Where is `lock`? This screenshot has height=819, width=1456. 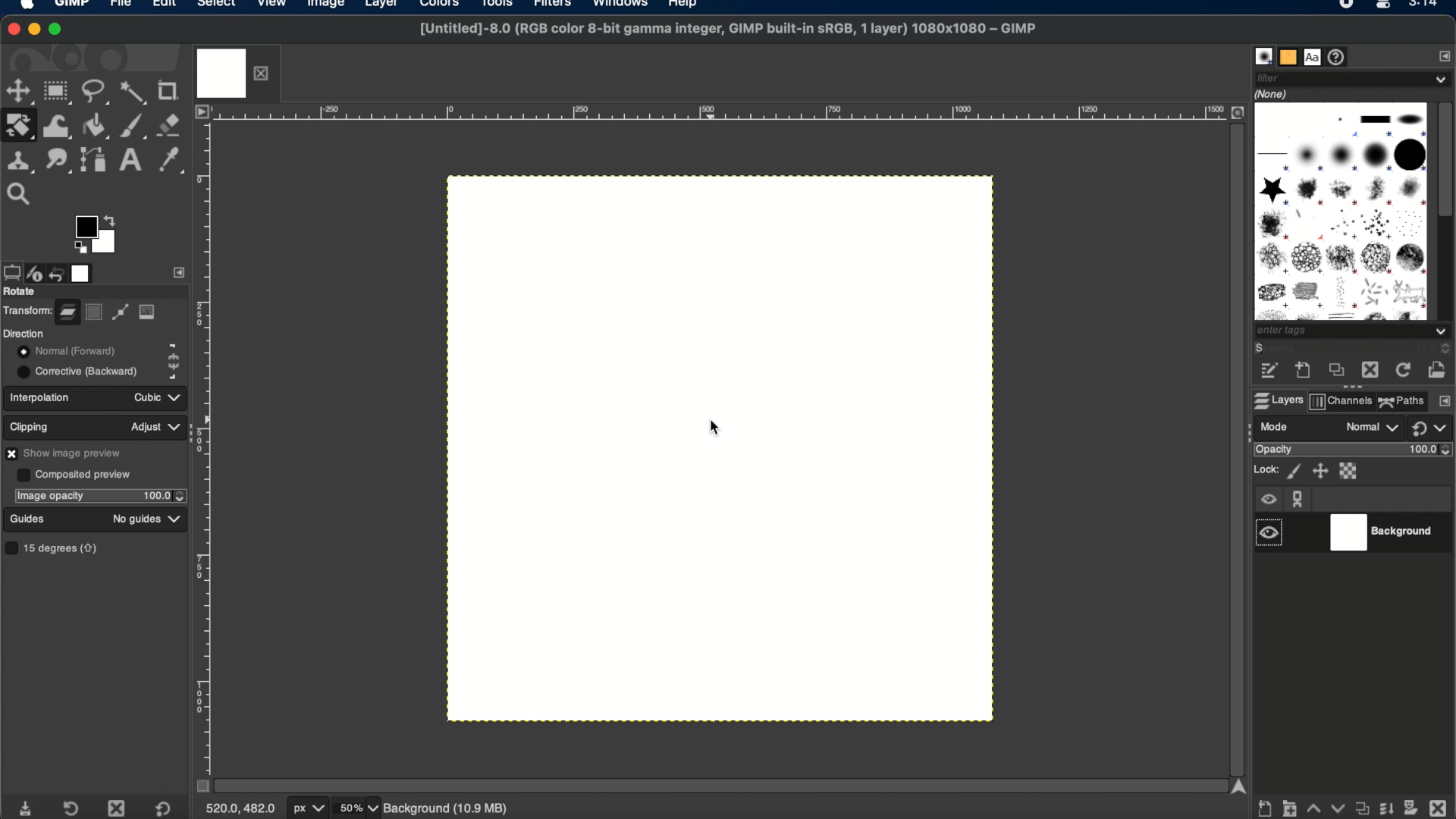
lock is located at coordinates (1264, 469).